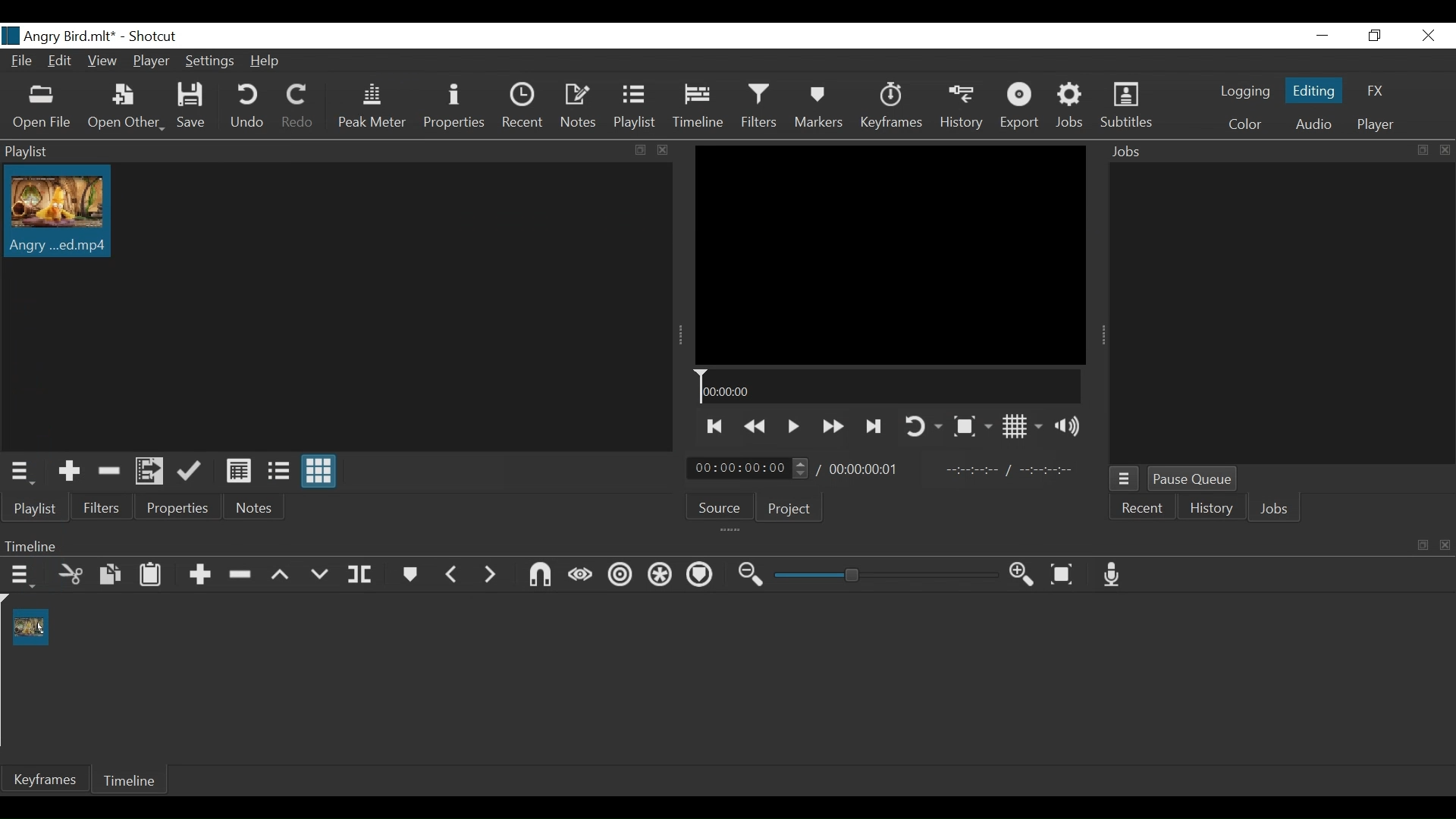  I want to click on View as files, so click(277, 470).